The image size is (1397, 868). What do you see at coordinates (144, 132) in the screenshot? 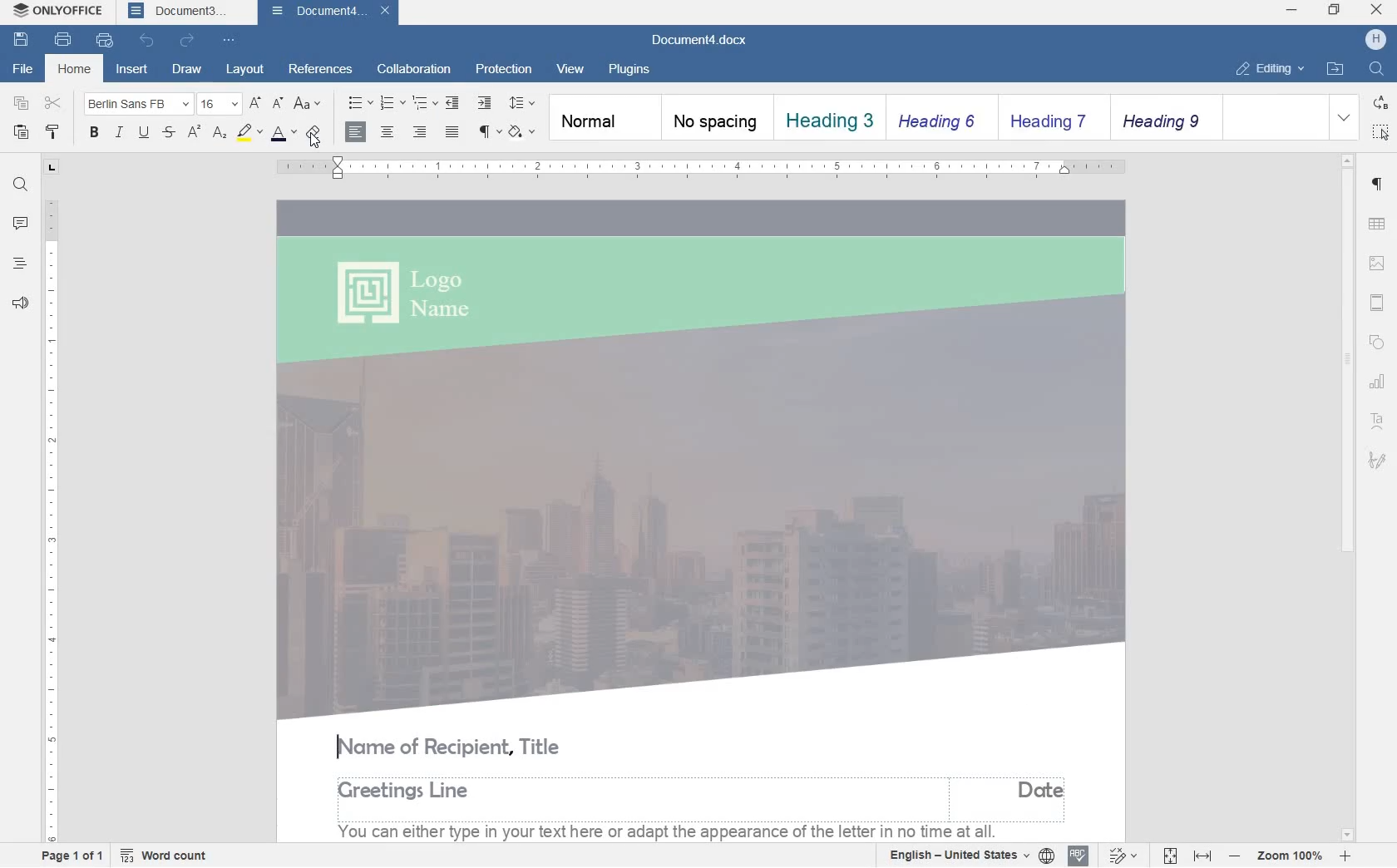
I see `underline` at bounding box center [144, 132].